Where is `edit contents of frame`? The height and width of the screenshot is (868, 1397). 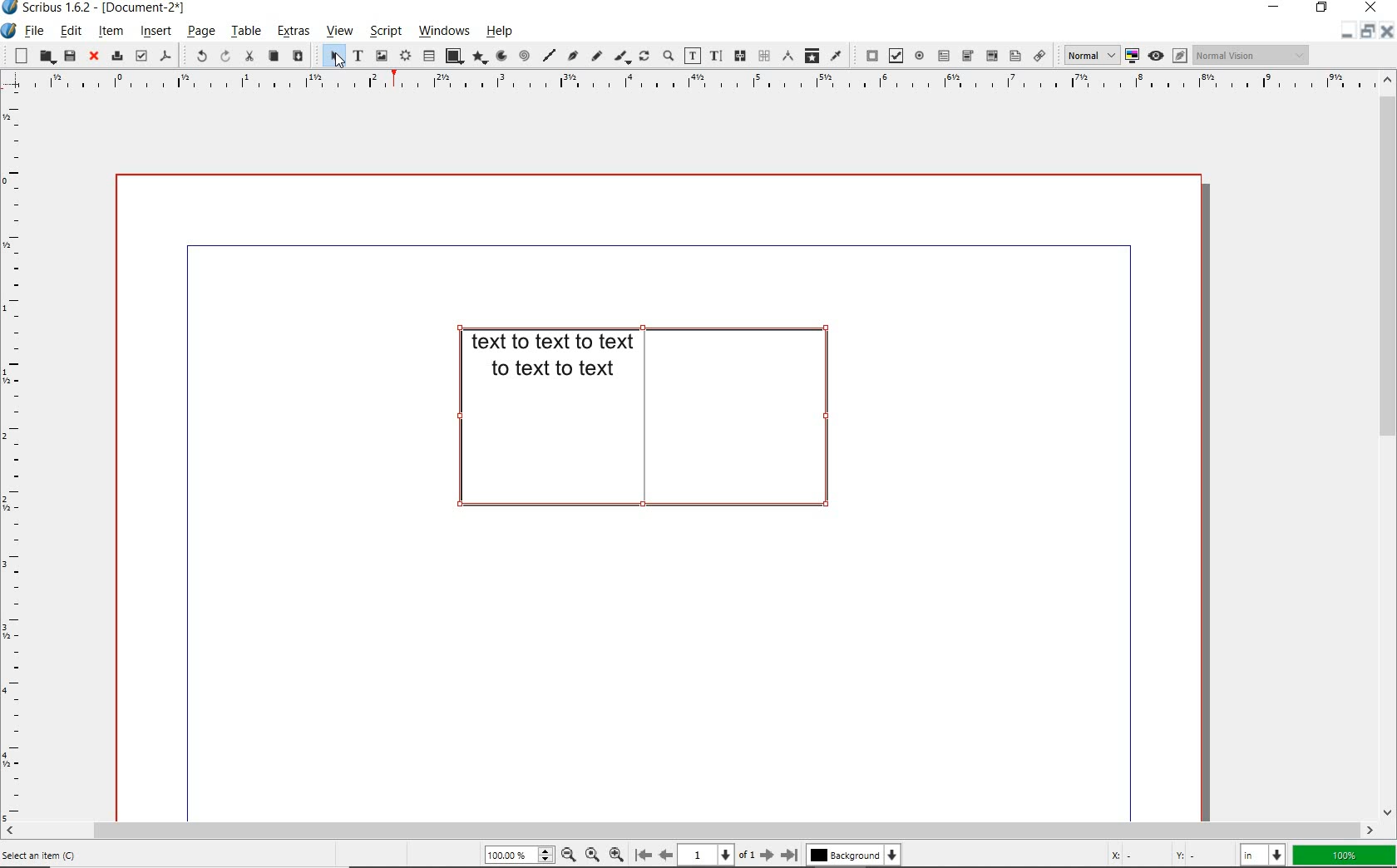
edit contents of frame is located at coordinates (693, 57).